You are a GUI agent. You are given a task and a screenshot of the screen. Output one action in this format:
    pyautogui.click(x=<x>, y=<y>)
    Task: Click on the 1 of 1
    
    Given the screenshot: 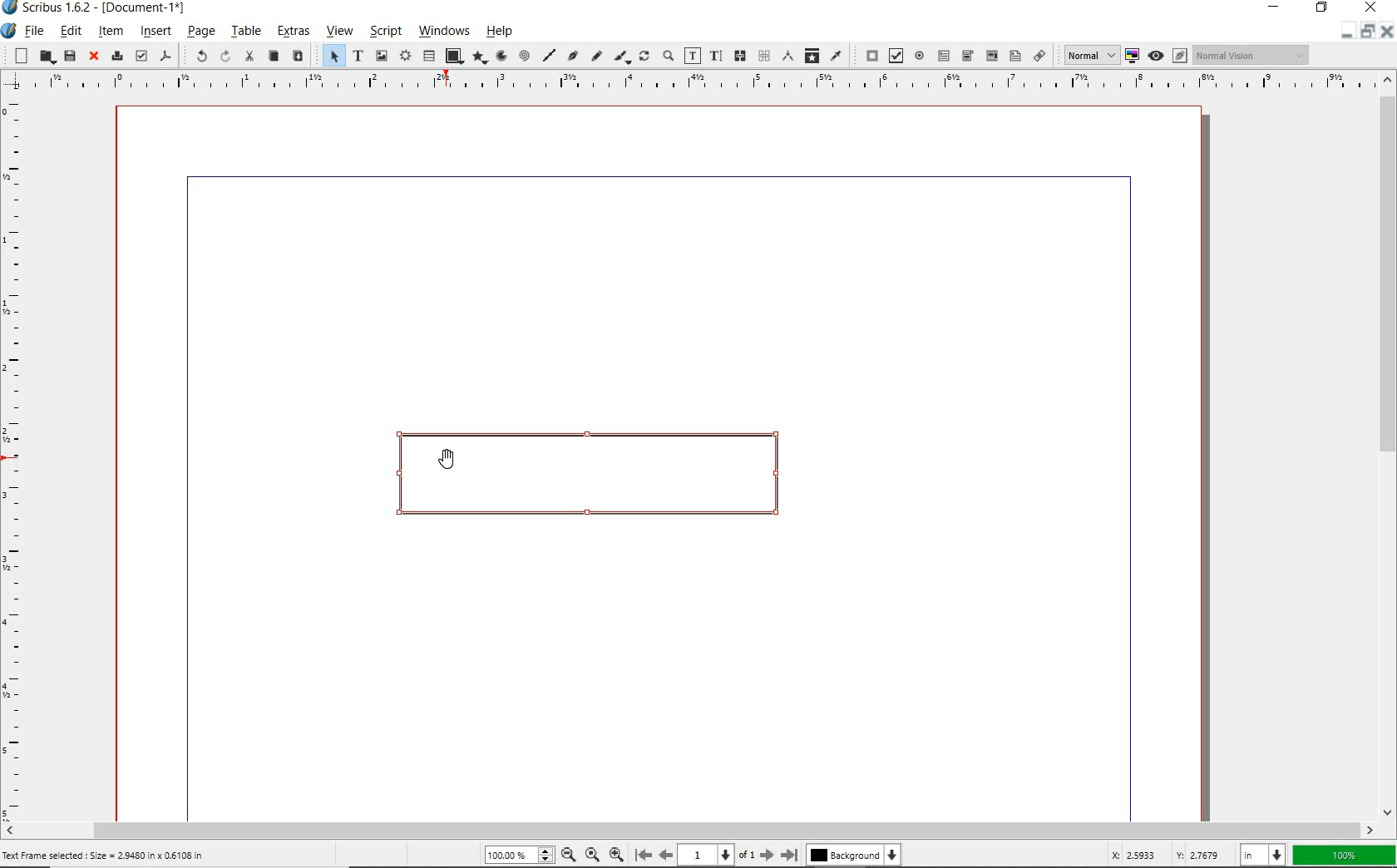 What is the action you would take?
    pyautogui.click(x=716, y=855)
    